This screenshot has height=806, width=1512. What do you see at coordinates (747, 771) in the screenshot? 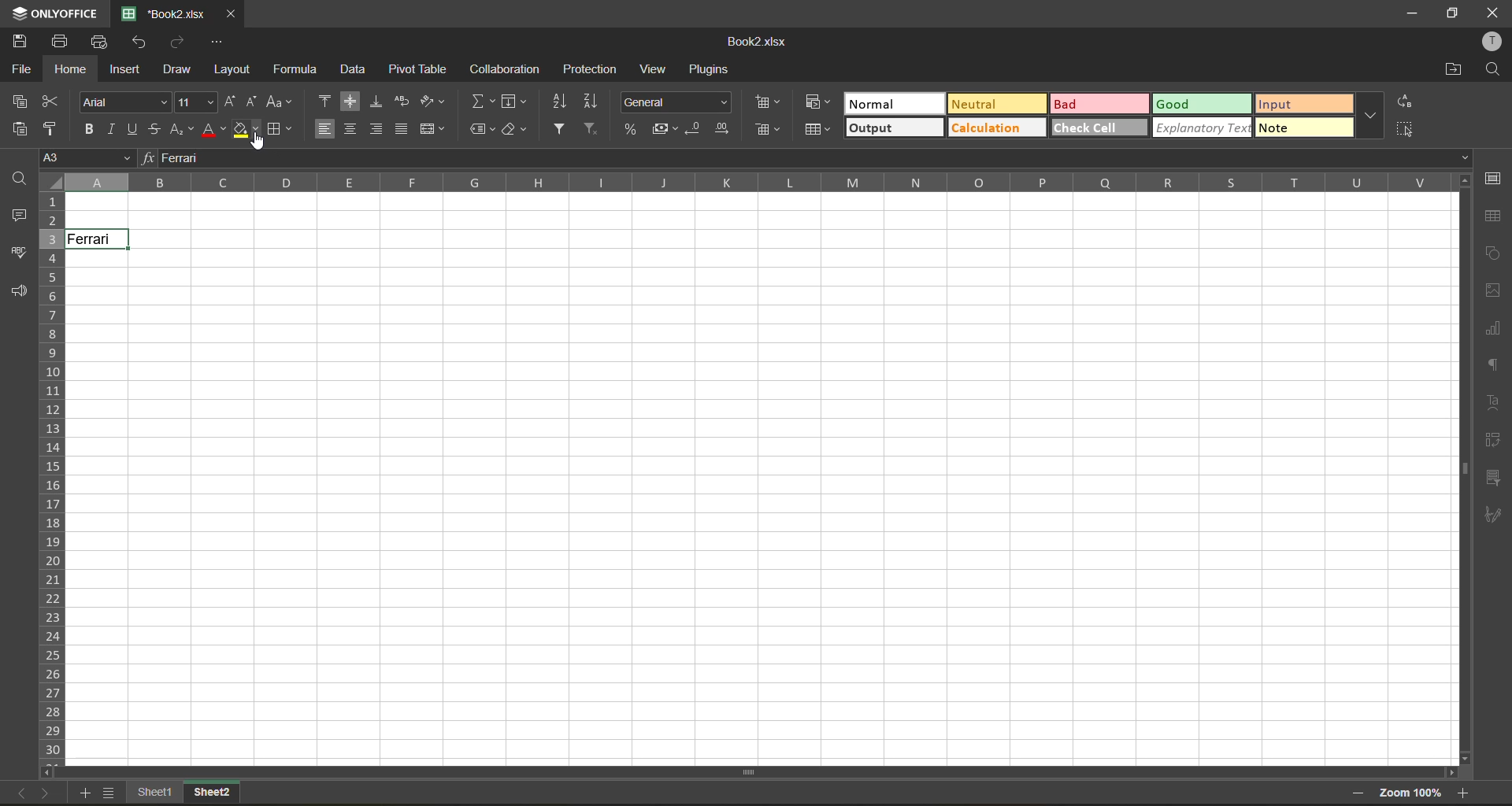
I see `Horizonal Scrollbar` at bounding box center [747, 771].